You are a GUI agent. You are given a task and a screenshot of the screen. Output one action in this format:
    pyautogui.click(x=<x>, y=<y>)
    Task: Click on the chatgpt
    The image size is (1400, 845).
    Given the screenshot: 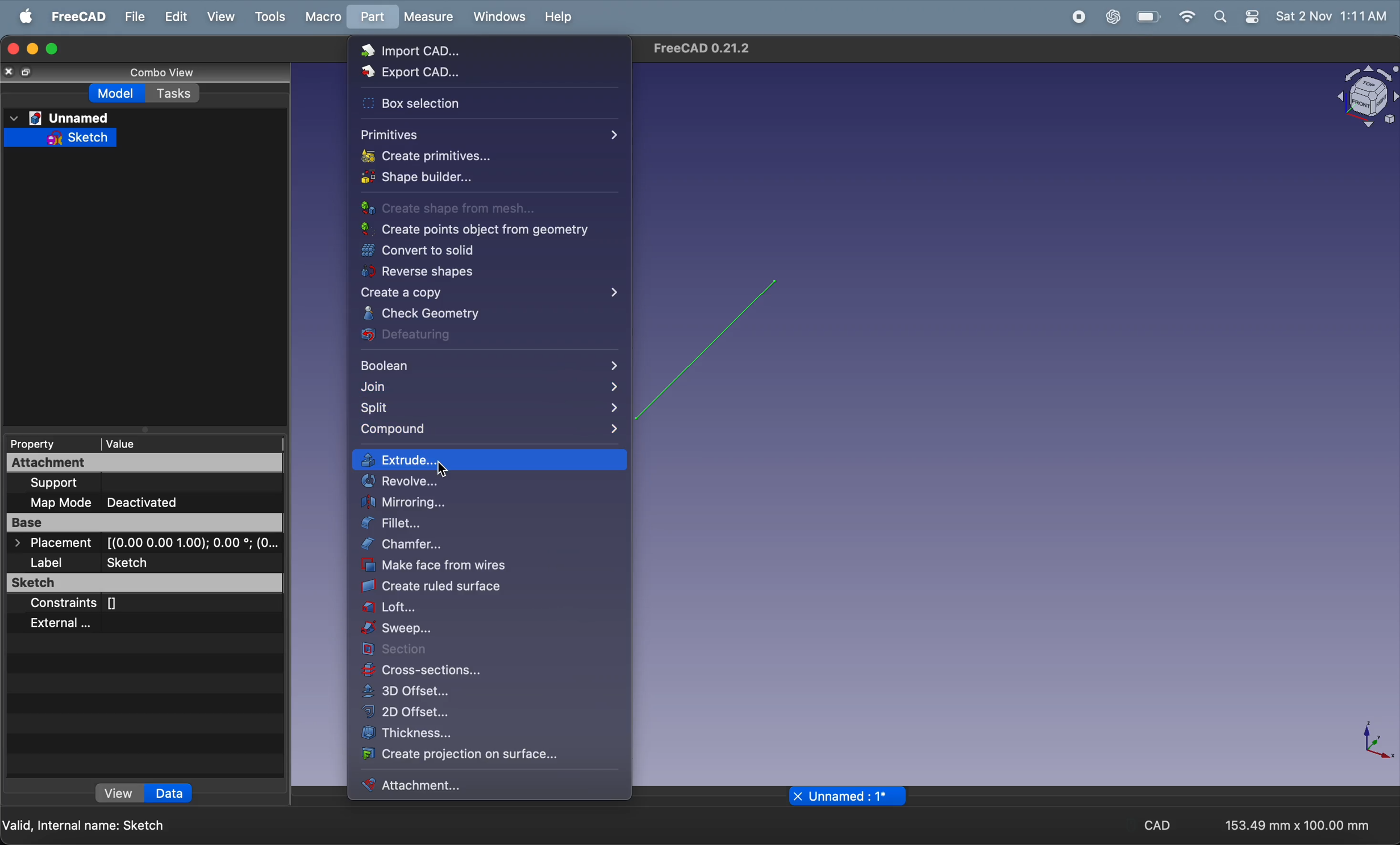 What is the action you would take?
    pyautogui.click(x=1112, y=17)
    